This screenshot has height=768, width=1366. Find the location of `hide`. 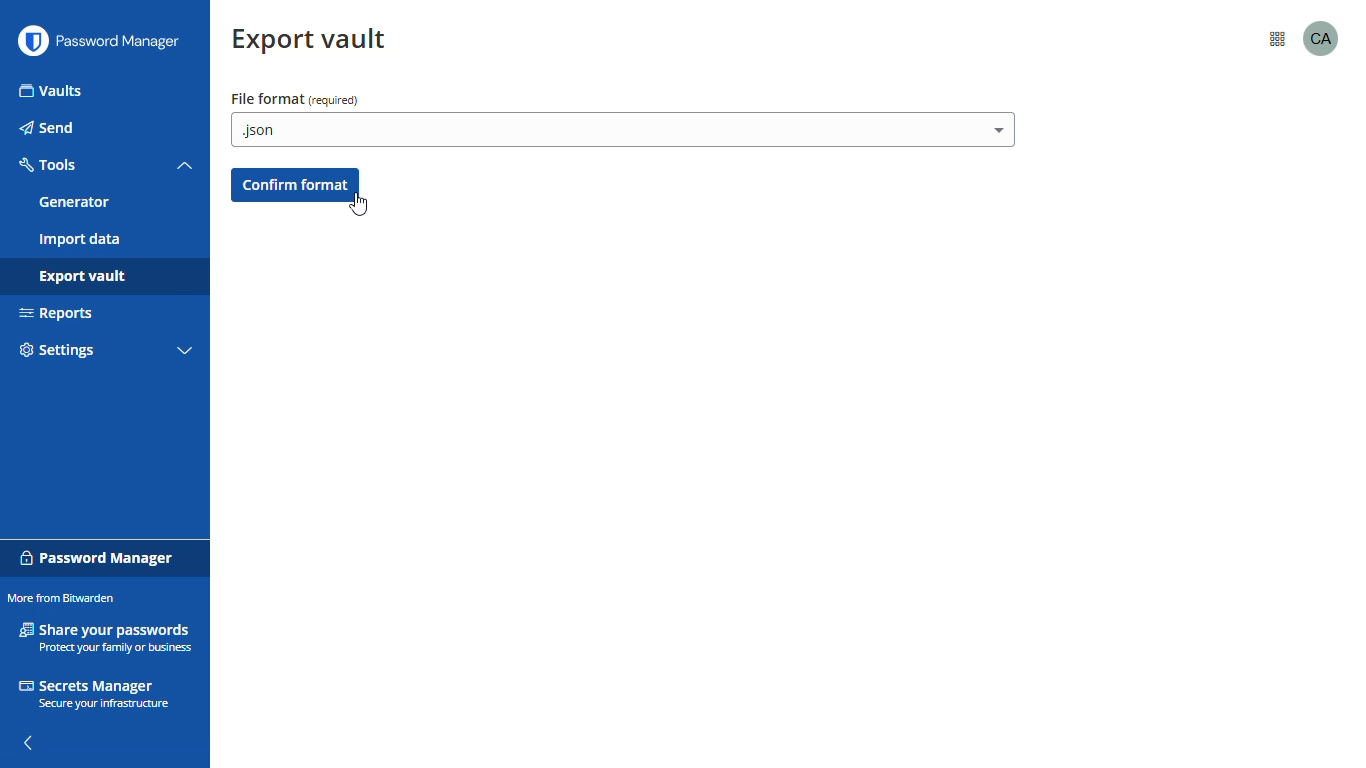

hide is located at coordinates (30, 742).